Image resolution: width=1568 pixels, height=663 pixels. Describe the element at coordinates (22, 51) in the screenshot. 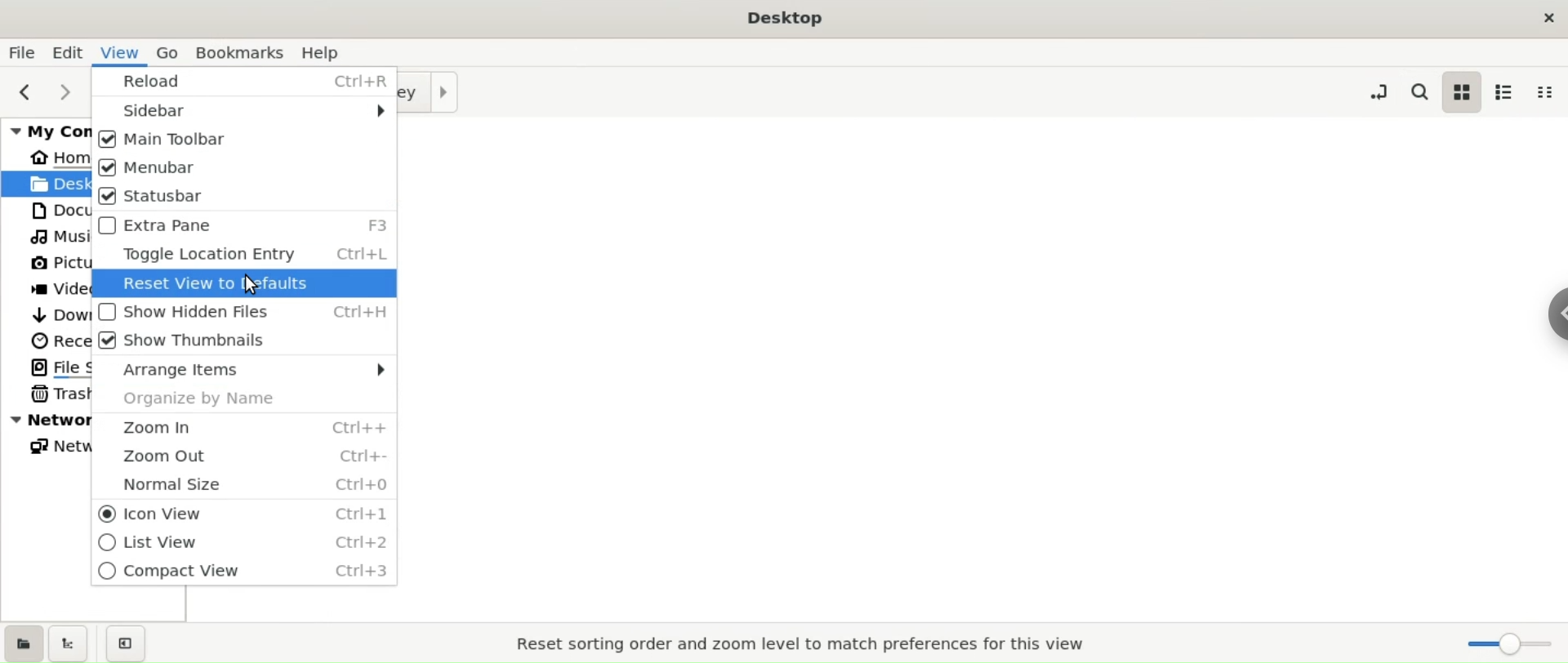

I see `file` at that location.